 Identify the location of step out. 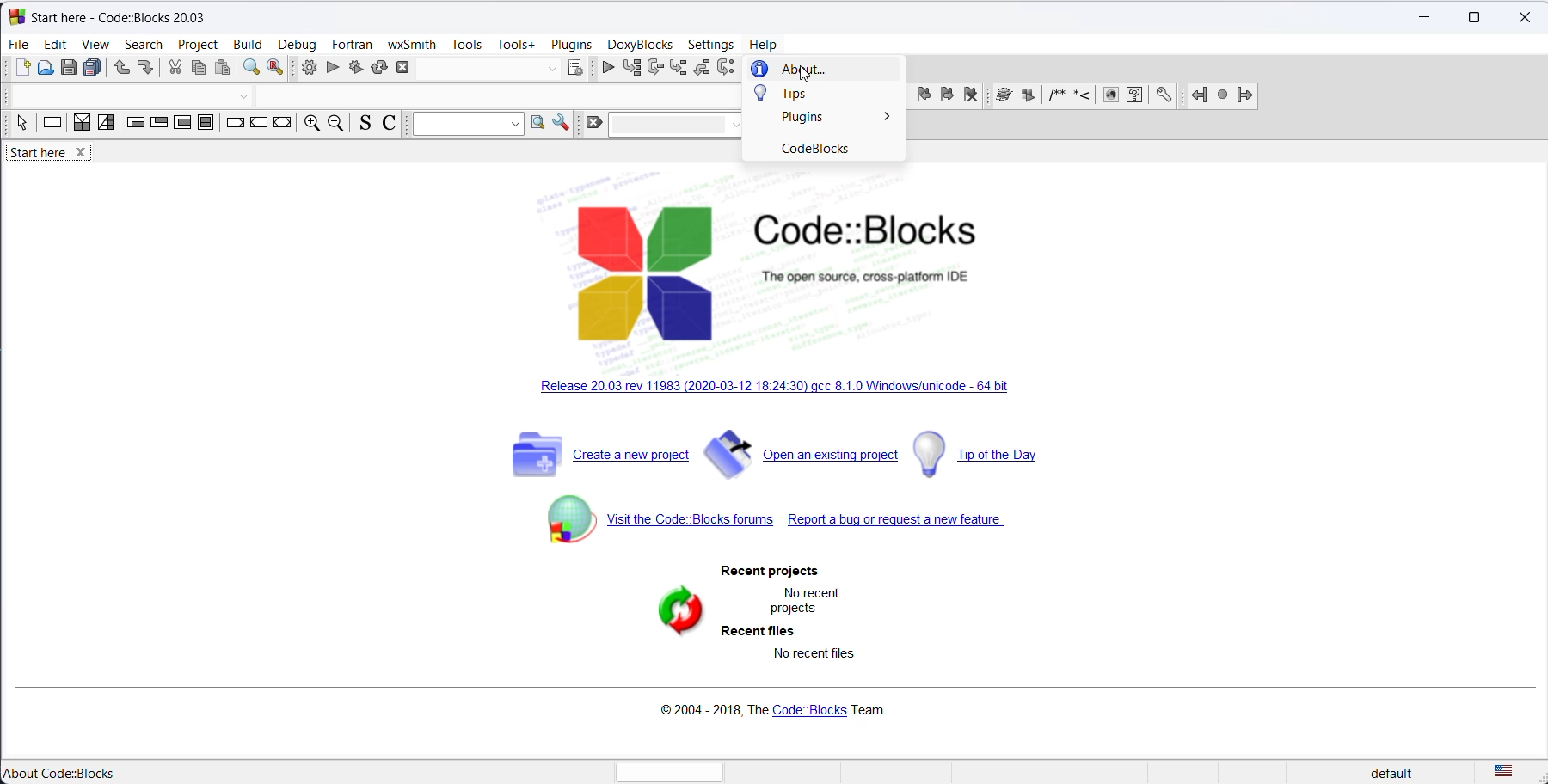
(702, 70).